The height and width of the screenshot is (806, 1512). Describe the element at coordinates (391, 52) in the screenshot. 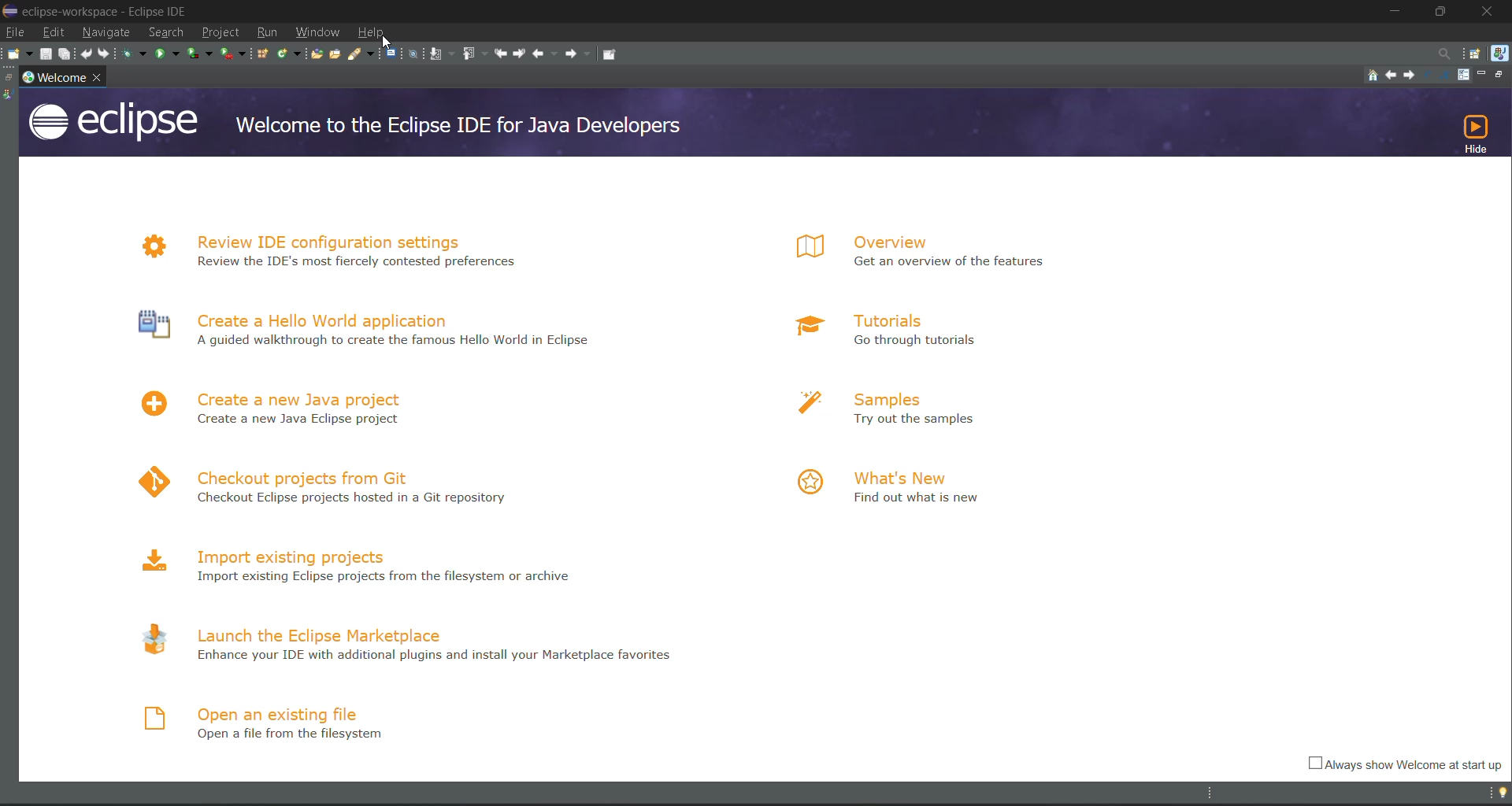

I see `open a terminal` at that location.